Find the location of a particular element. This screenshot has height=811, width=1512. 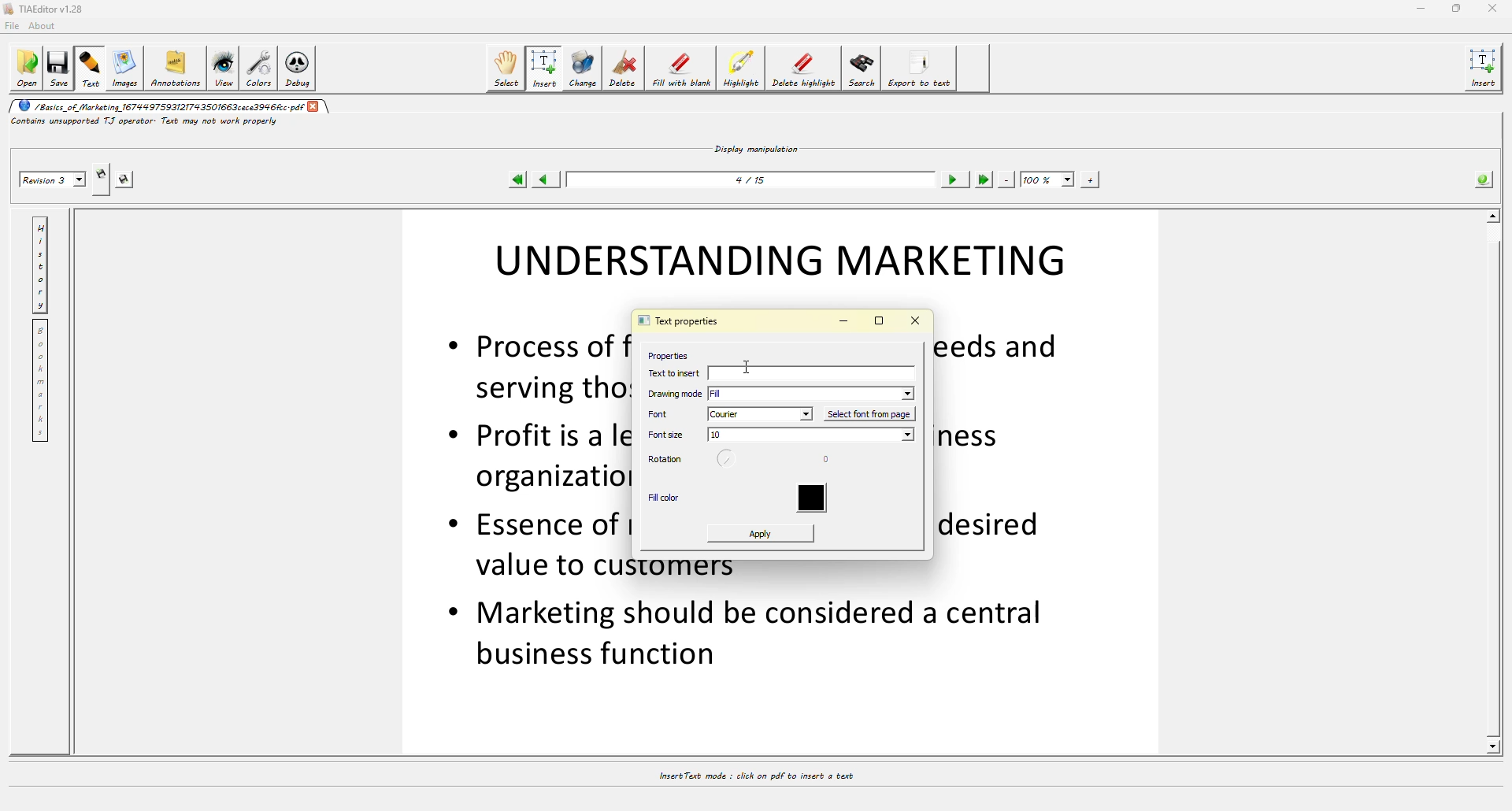

about is located at coordinates (46, 26).